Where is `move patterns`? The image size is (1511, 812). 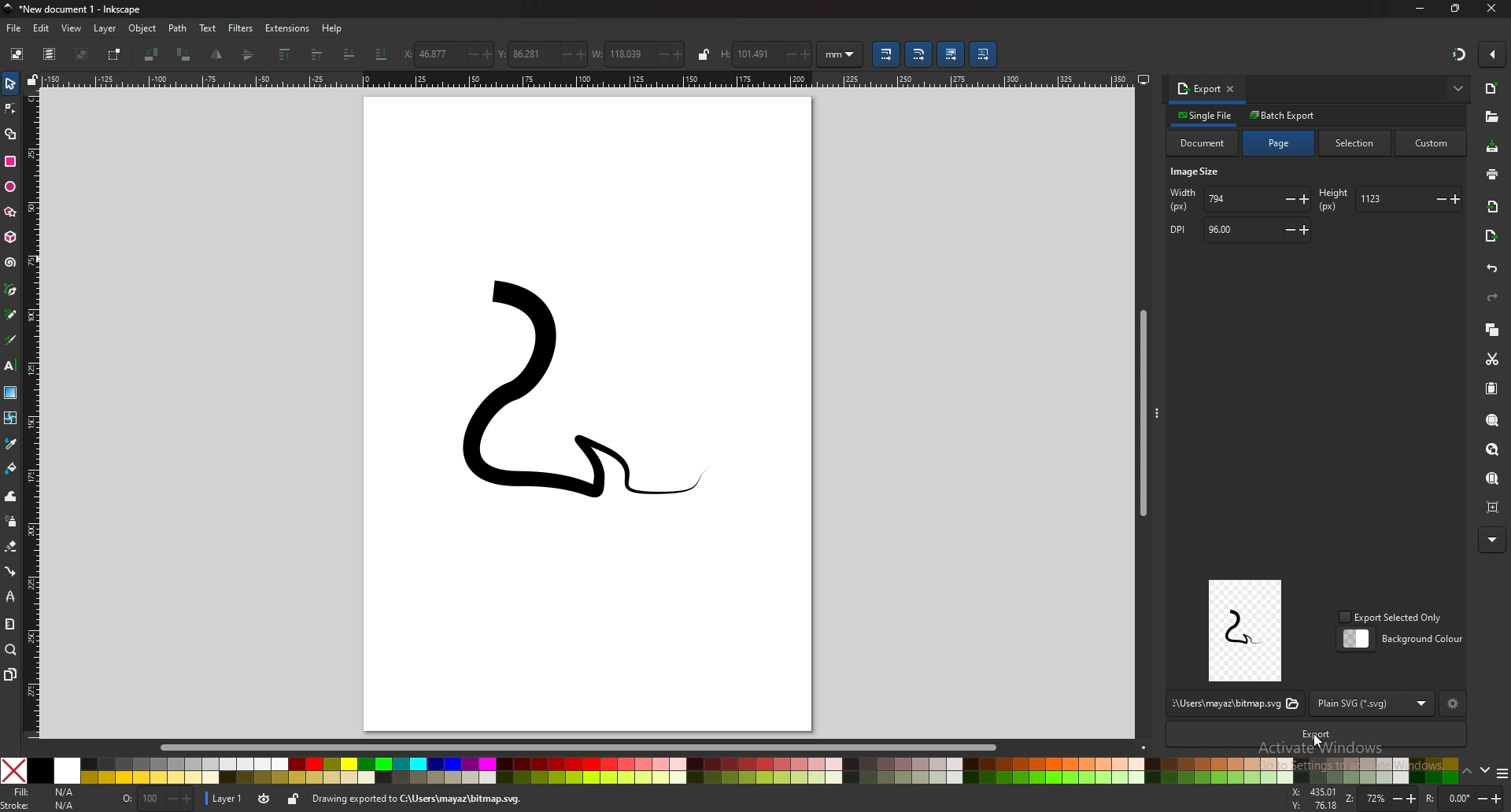
move patterns is located at coordinates (983, 54).